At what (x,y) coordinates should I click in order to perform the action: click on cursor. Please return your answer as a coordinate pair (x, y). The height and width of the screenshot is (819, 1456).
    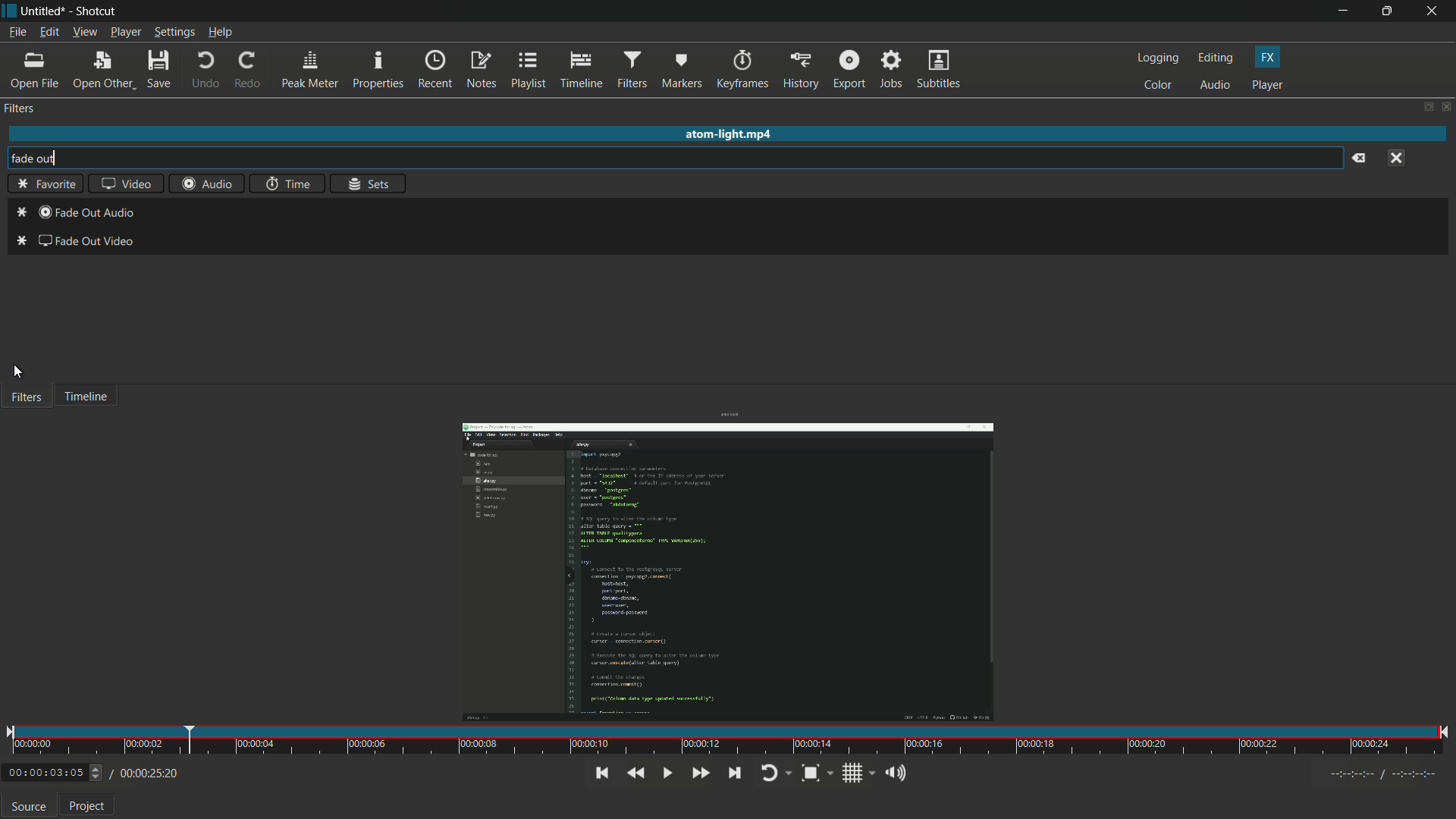
    Looking at the image, I should click on (17, 372).